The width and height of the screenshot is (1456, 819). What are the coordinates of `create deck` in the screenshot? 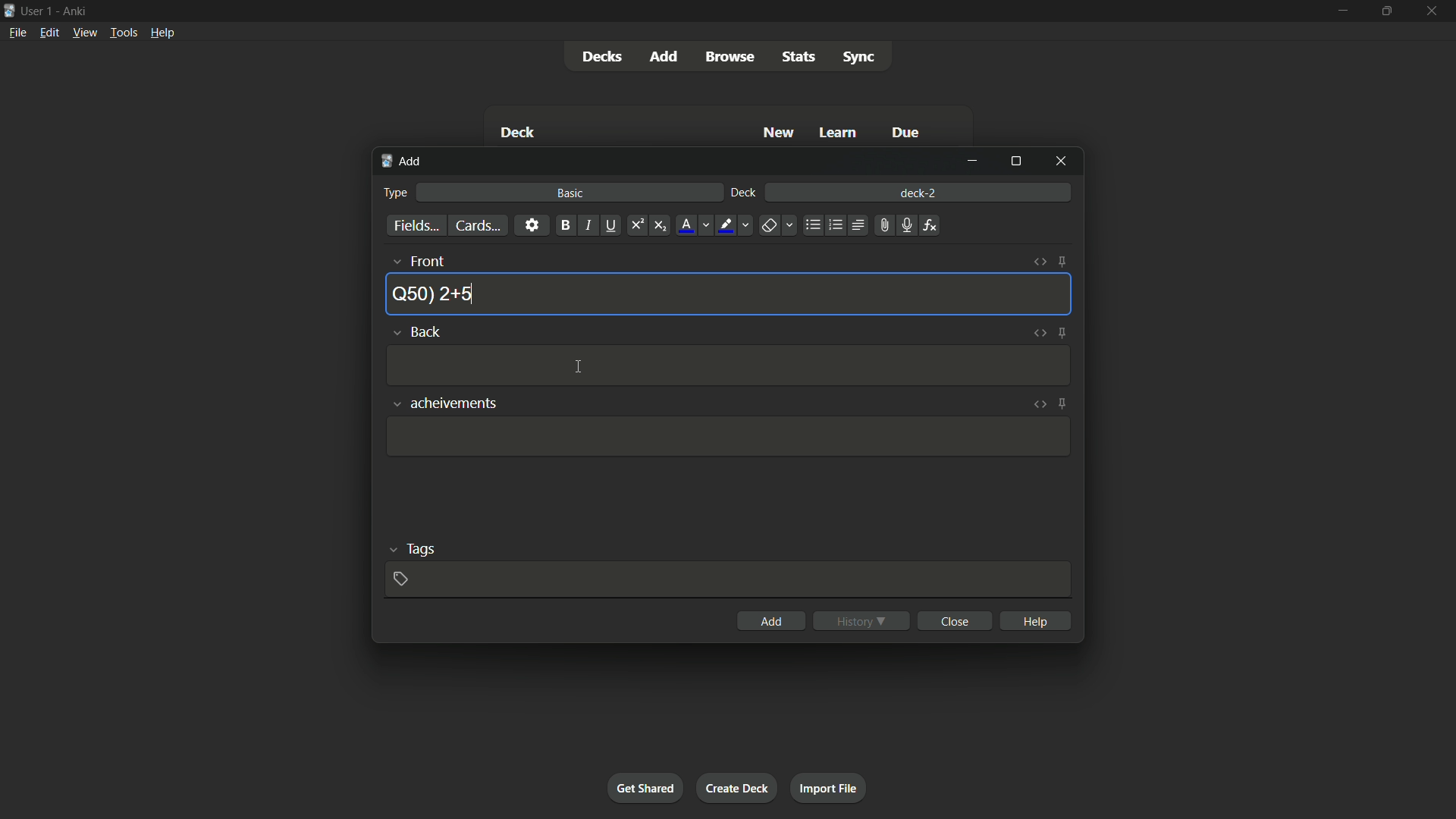 It's located at (738, 787).